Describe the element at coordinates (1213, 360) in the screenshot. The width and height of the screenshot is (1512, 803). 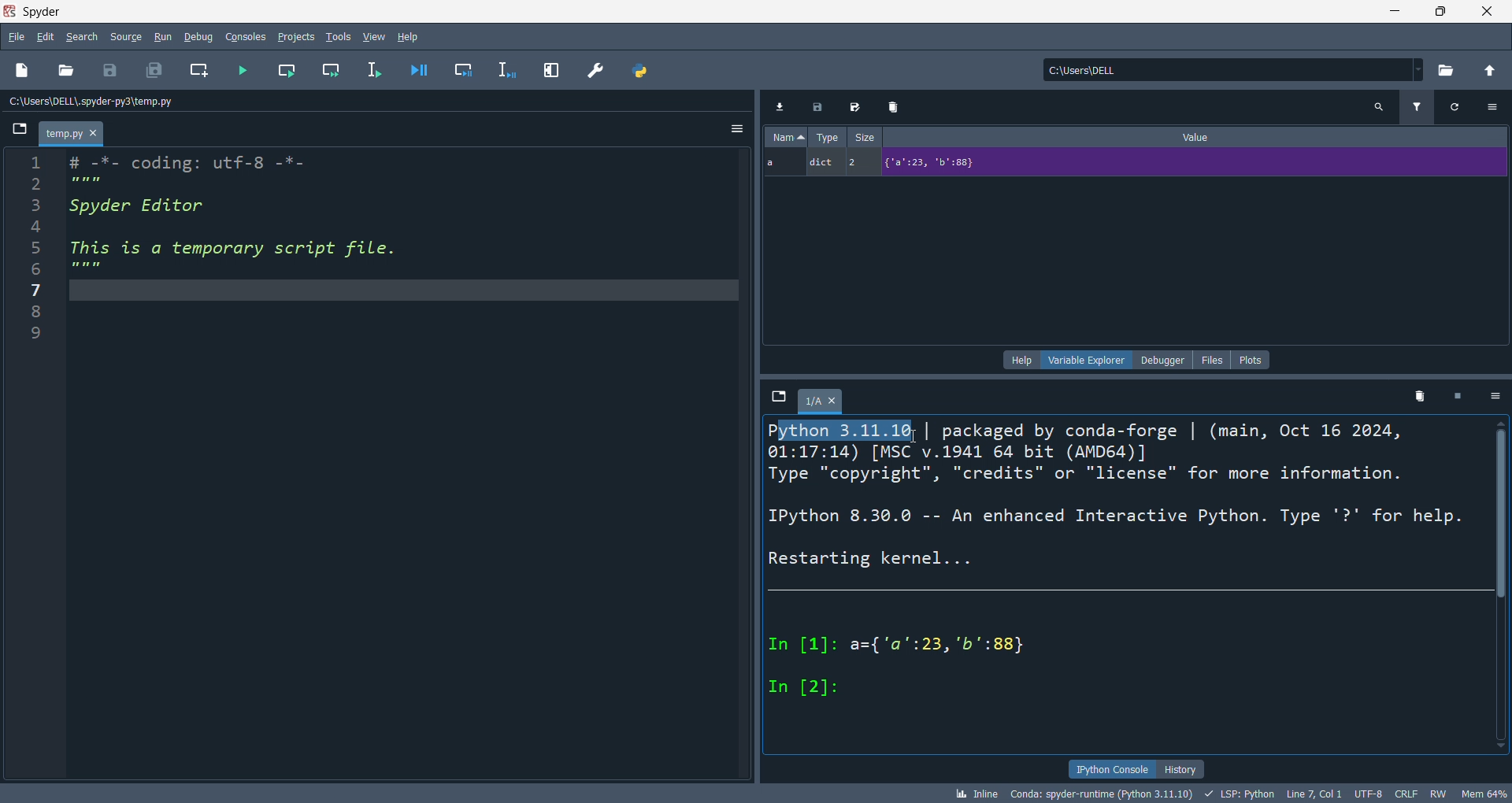
I see `files` at that location.